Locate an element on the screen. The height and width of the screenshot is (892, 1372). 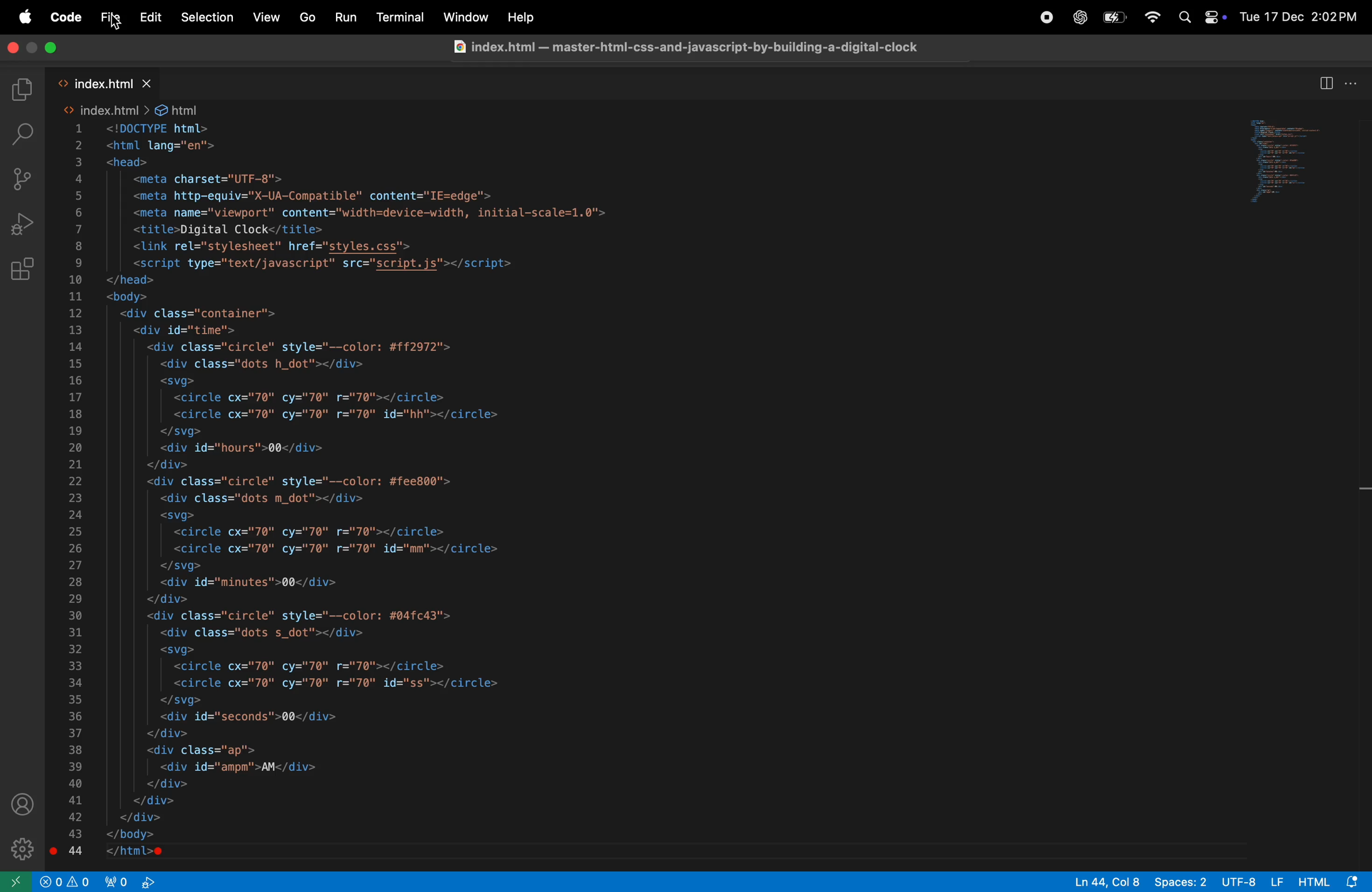
run and debug is located at coordinates (22, 224).